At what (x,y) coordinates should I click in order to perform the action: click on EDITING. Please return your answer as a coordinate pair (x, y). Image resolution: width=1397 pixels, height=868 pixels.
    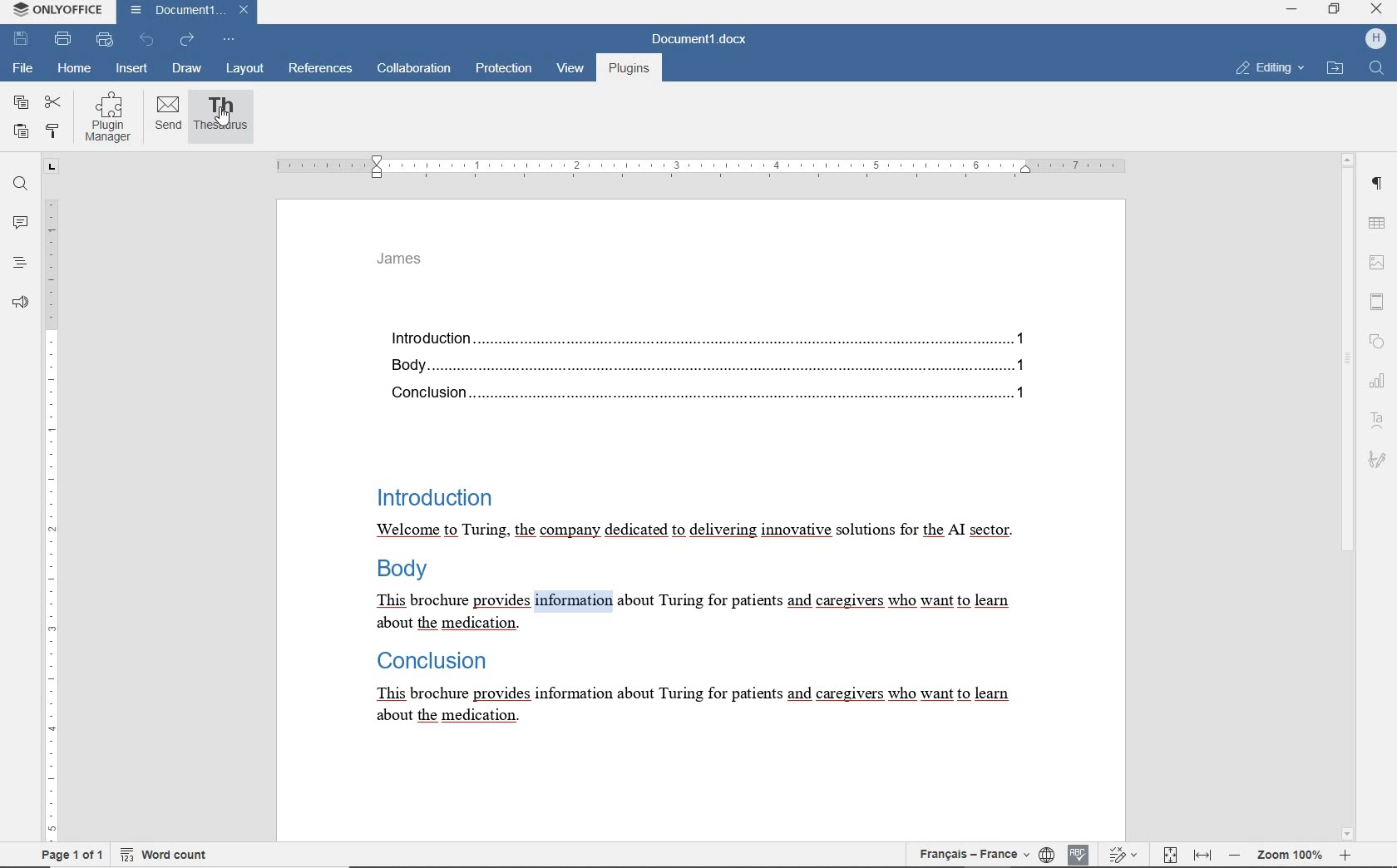
    Looking at the image, I should click on (1267, 69).